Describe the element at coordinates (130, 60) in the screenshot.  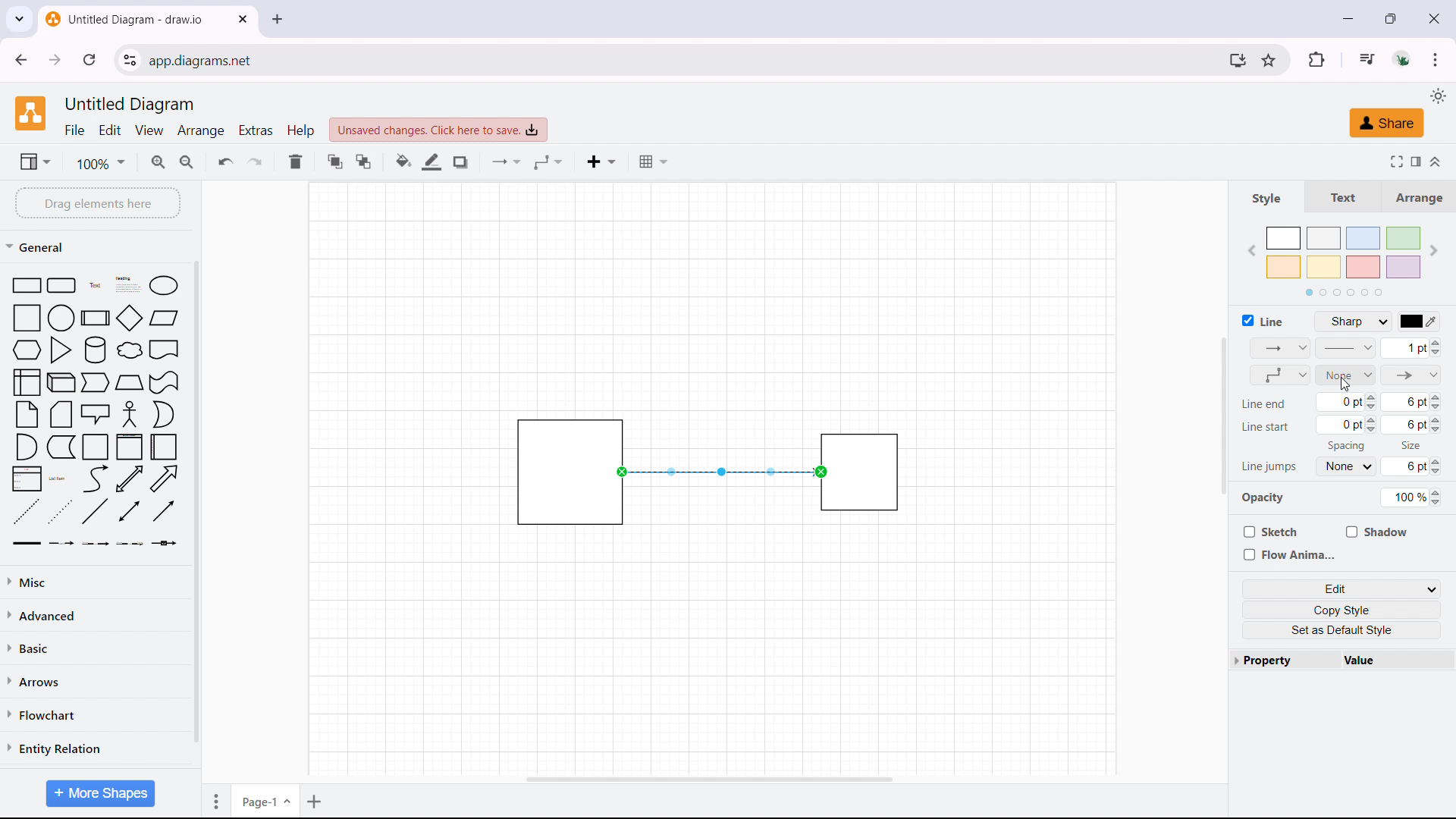
I see `view site information` at that location.